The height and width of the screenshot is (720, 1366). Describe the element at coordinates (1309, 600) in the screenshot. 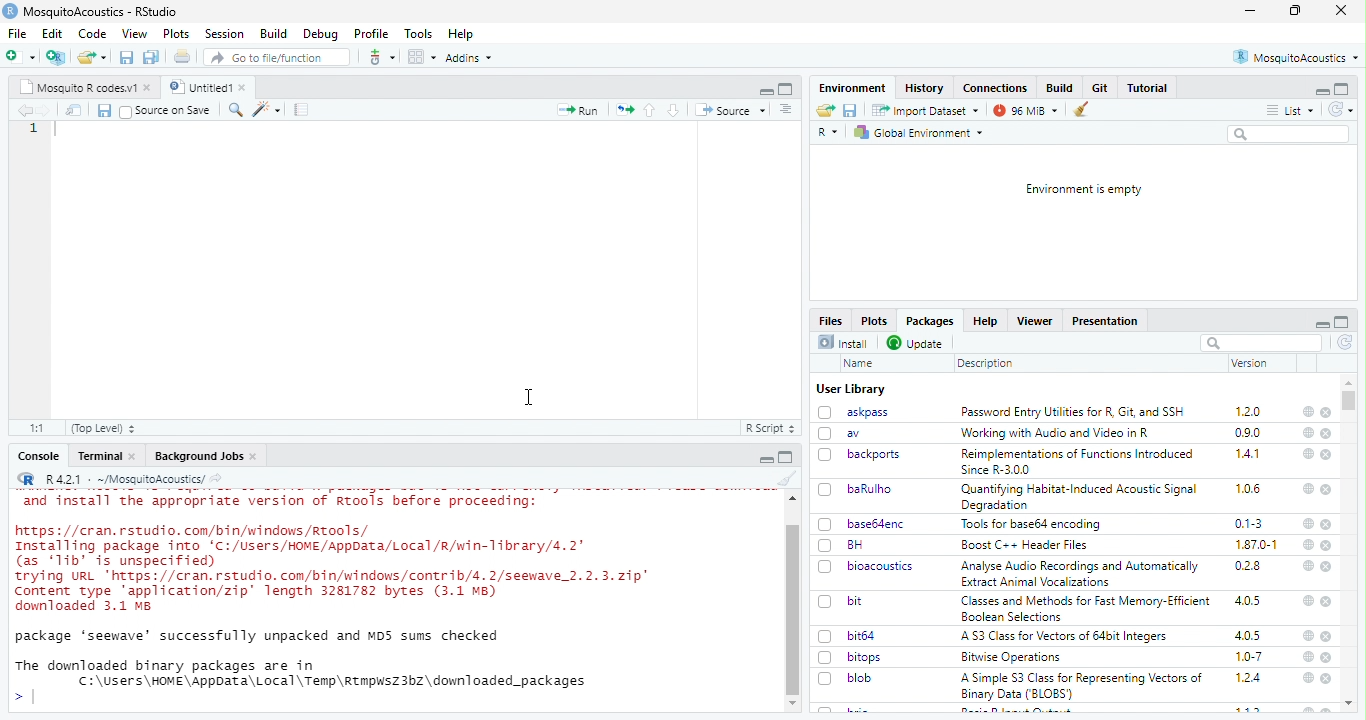

I see `web` at that location.